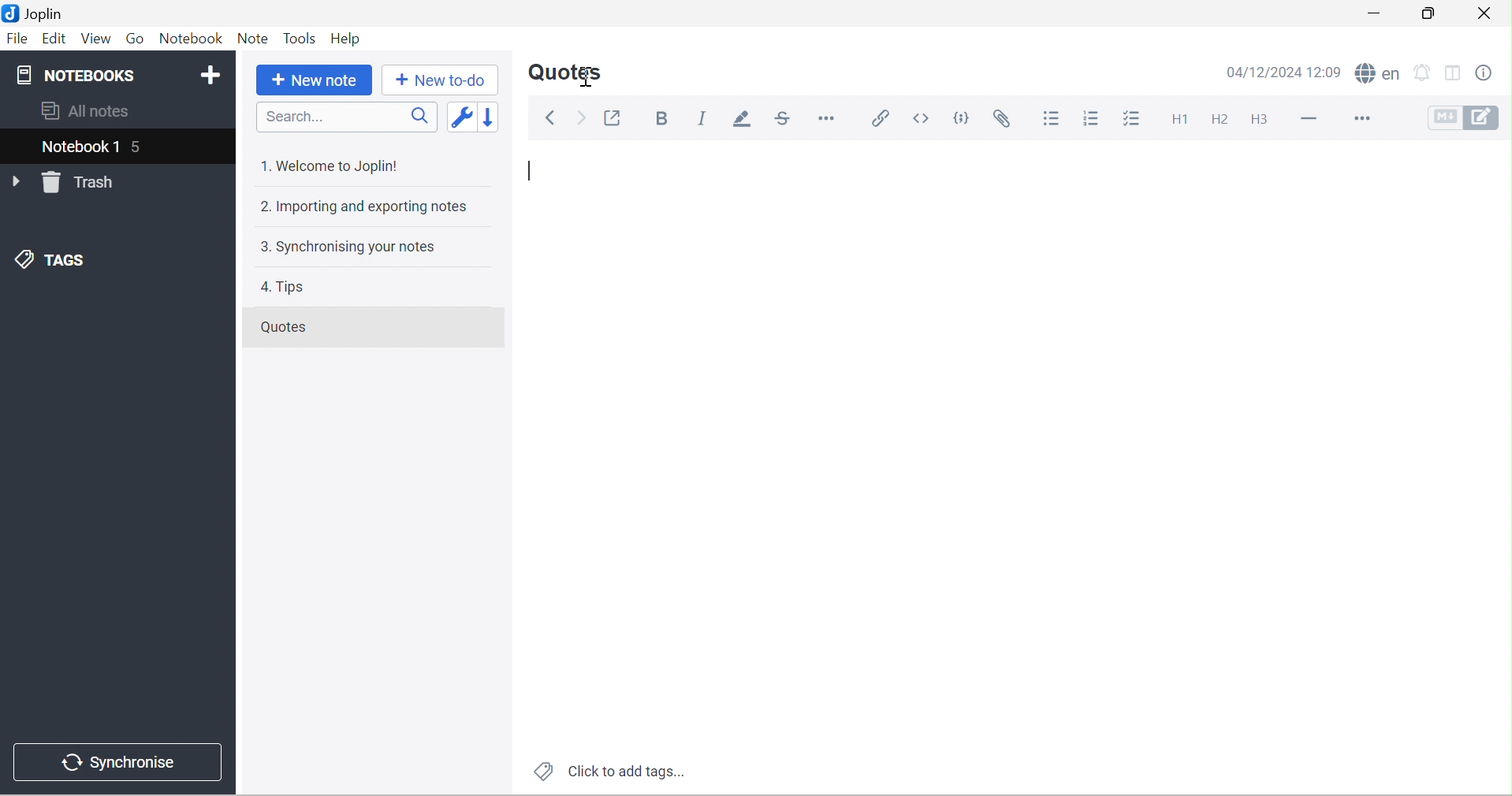  Describe the element at coordinates (17, 182) in the screenshot. I see `Drop Down` at that location.